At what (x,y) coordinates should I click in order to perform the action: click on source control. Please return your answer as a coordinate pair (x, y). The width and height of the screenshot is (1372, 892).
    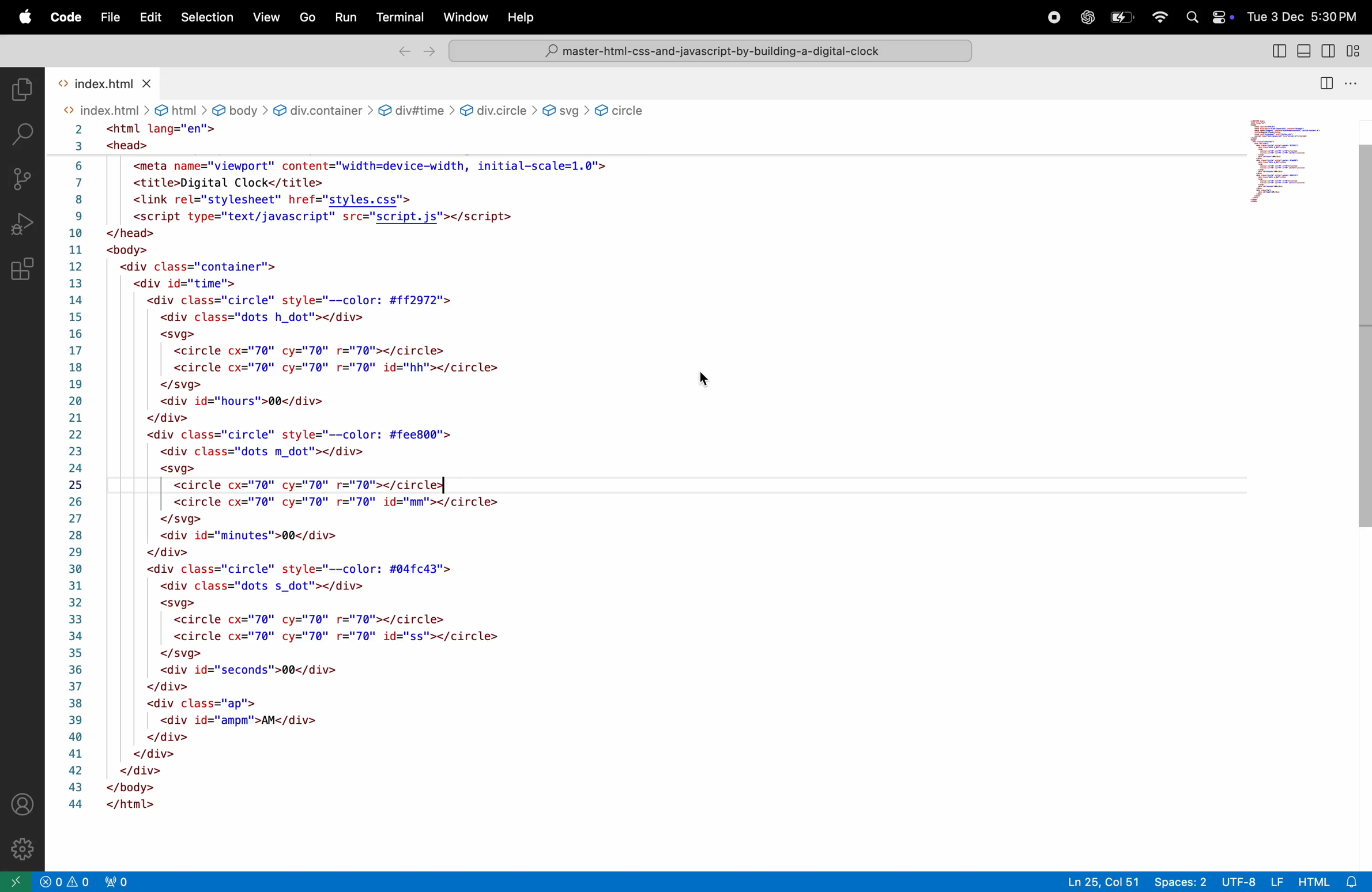
    Looking at the image, I should click on (22, 177).